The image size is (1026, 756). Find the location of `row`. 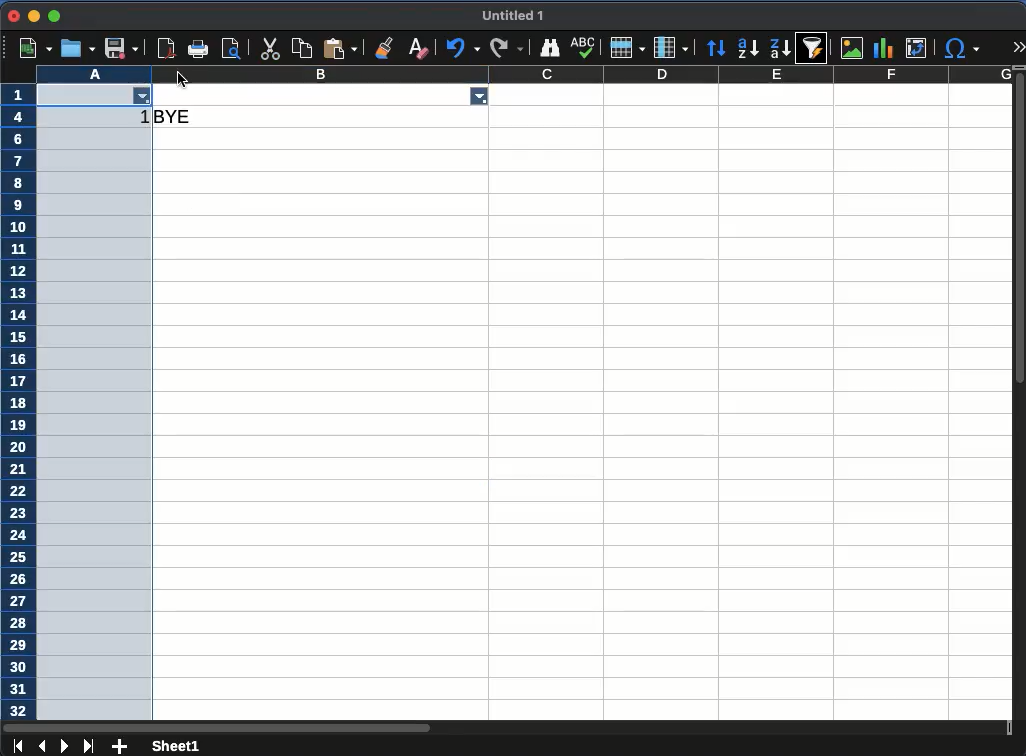

row is located at coordinates (624, 48).